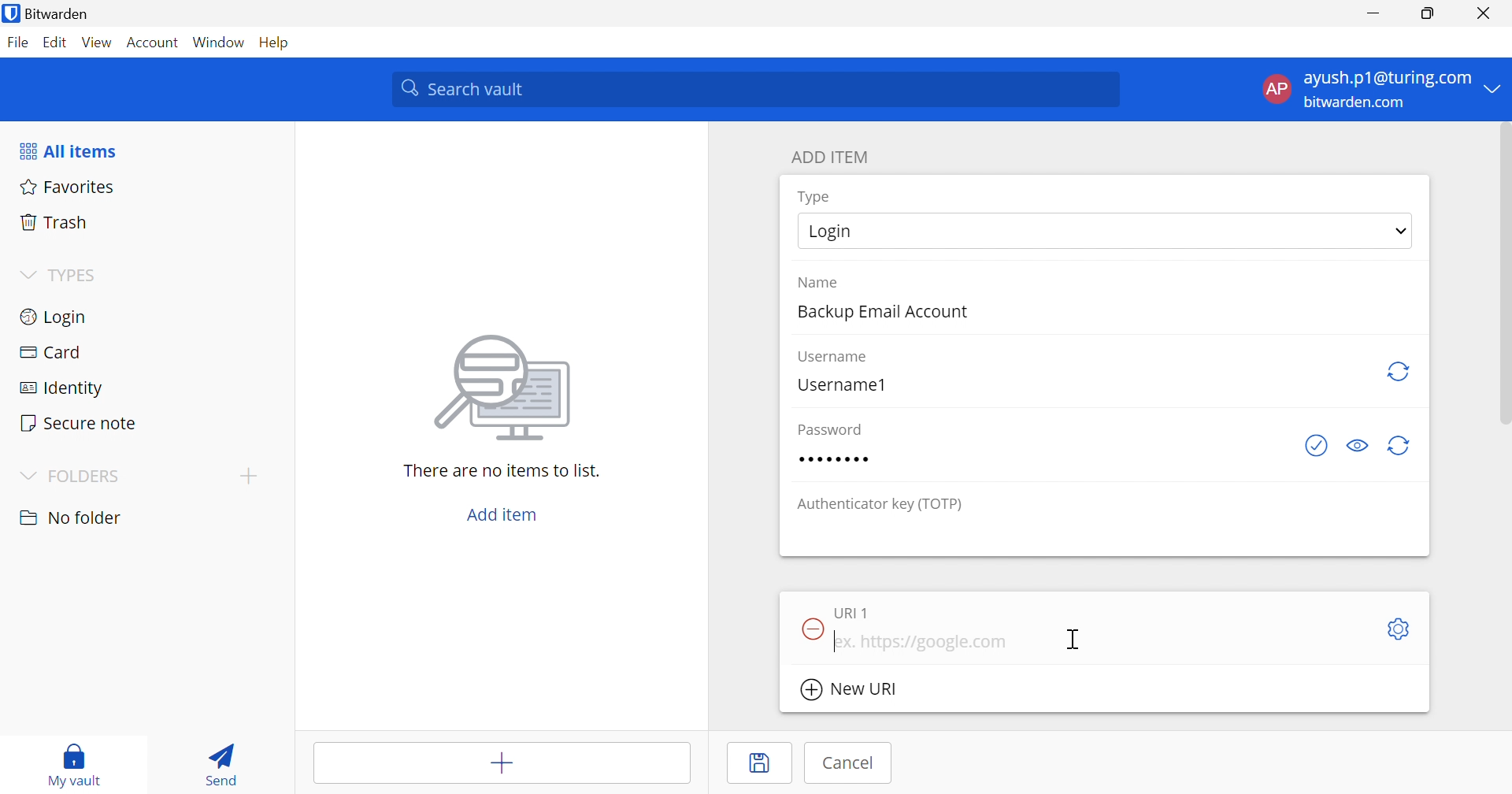 The image size is (1512, 794). What do you see at coordinates (836, 641) in the screenshot?
I see `Typing cursor` at bounding box center [836, 641].